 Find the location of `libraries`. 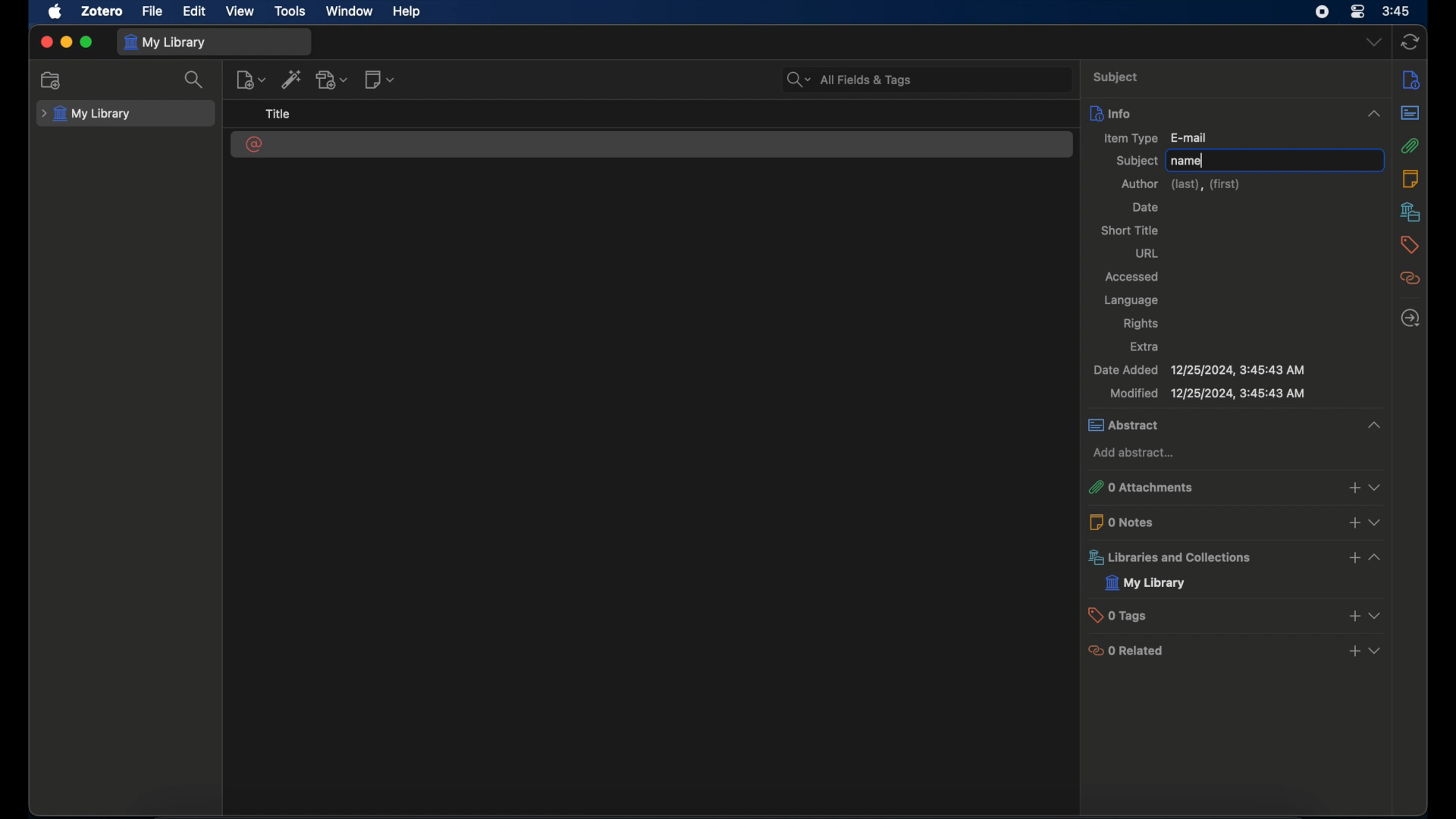

libraries is located at coordinates (1237, 557).